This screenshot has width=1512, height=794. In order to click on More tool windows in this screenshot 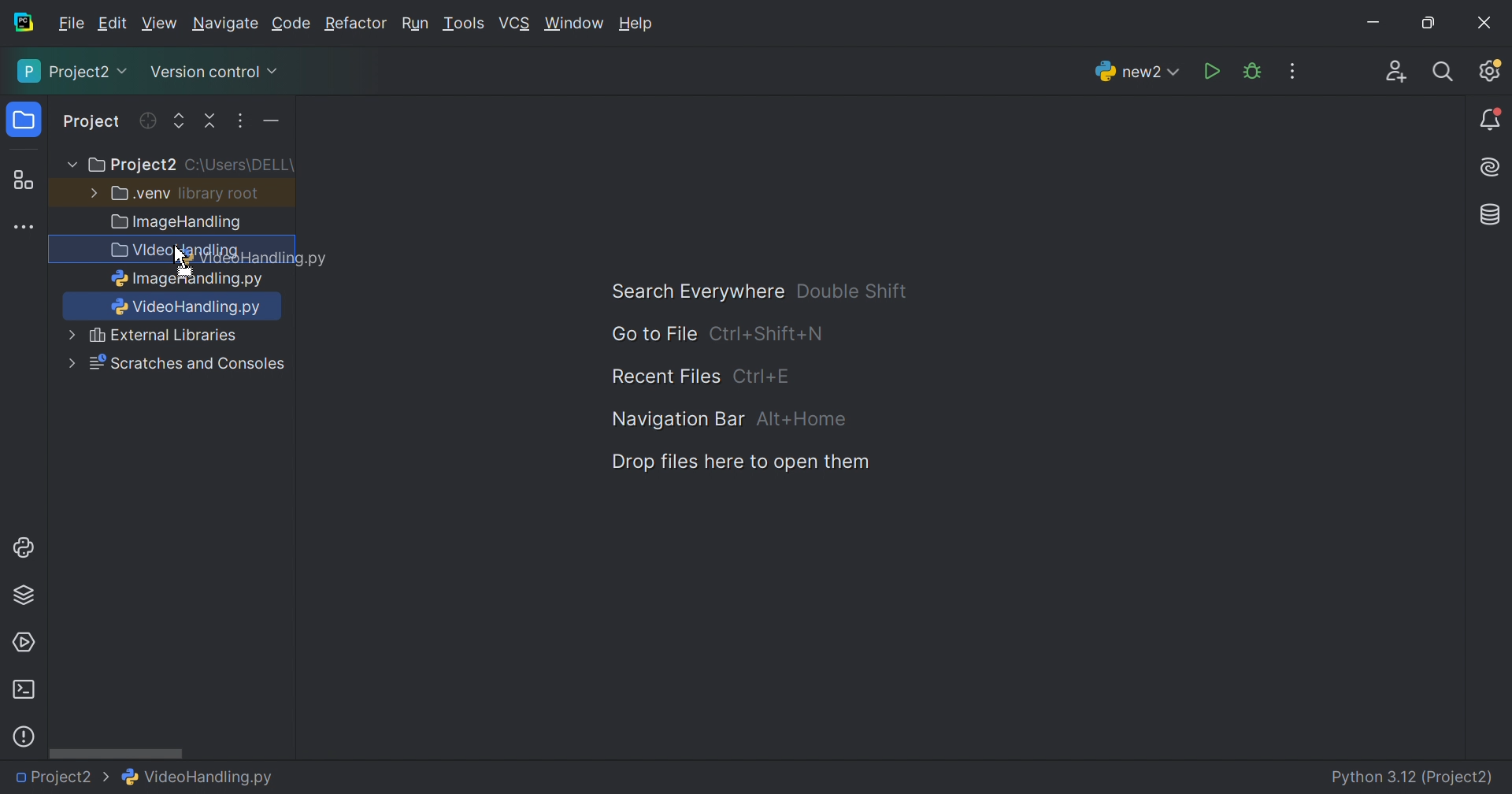, I will do `click(26, 228)`.